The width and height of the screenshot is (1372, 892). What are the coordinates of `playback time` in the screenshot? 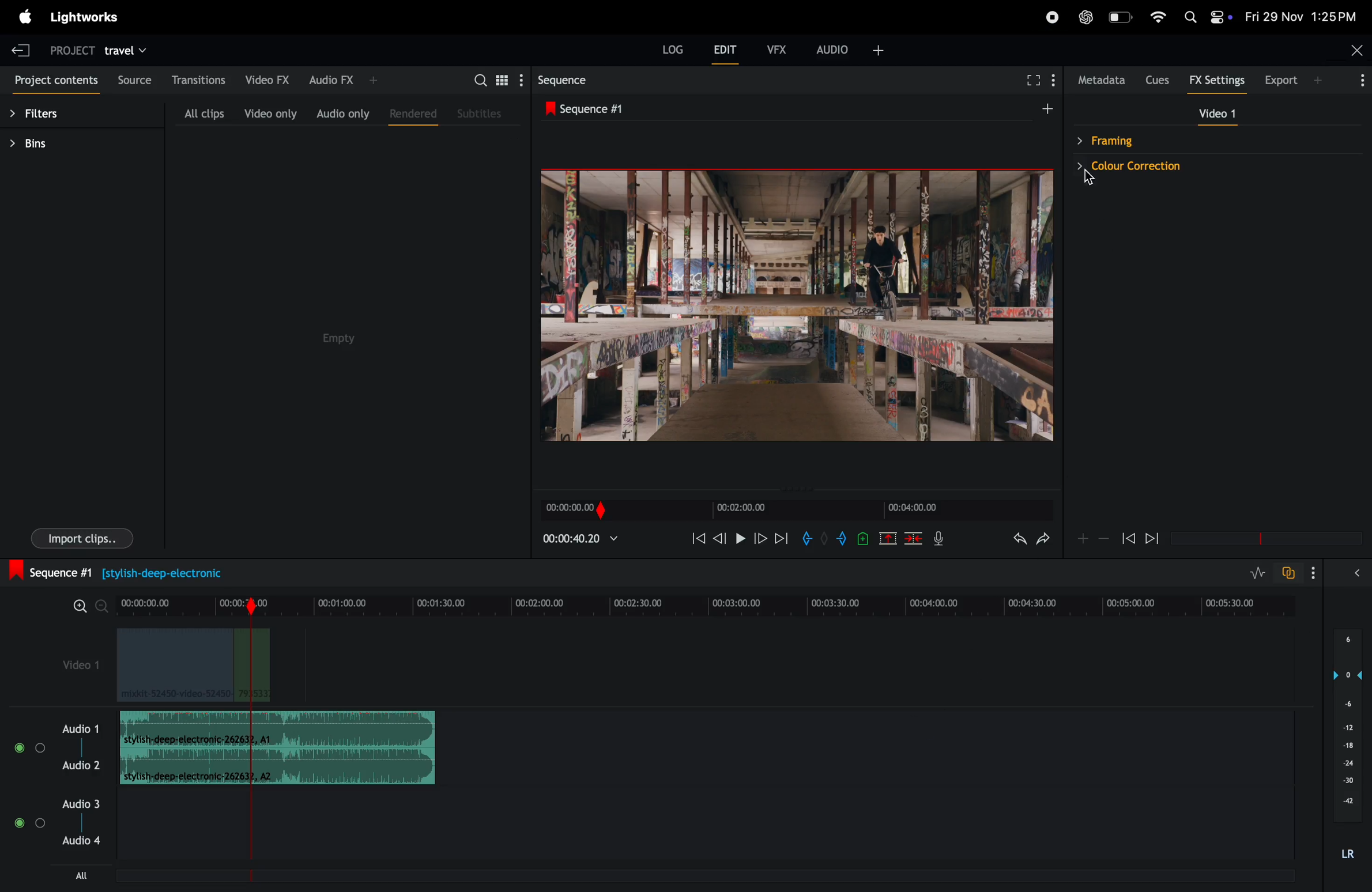 It's located at (589, 541).